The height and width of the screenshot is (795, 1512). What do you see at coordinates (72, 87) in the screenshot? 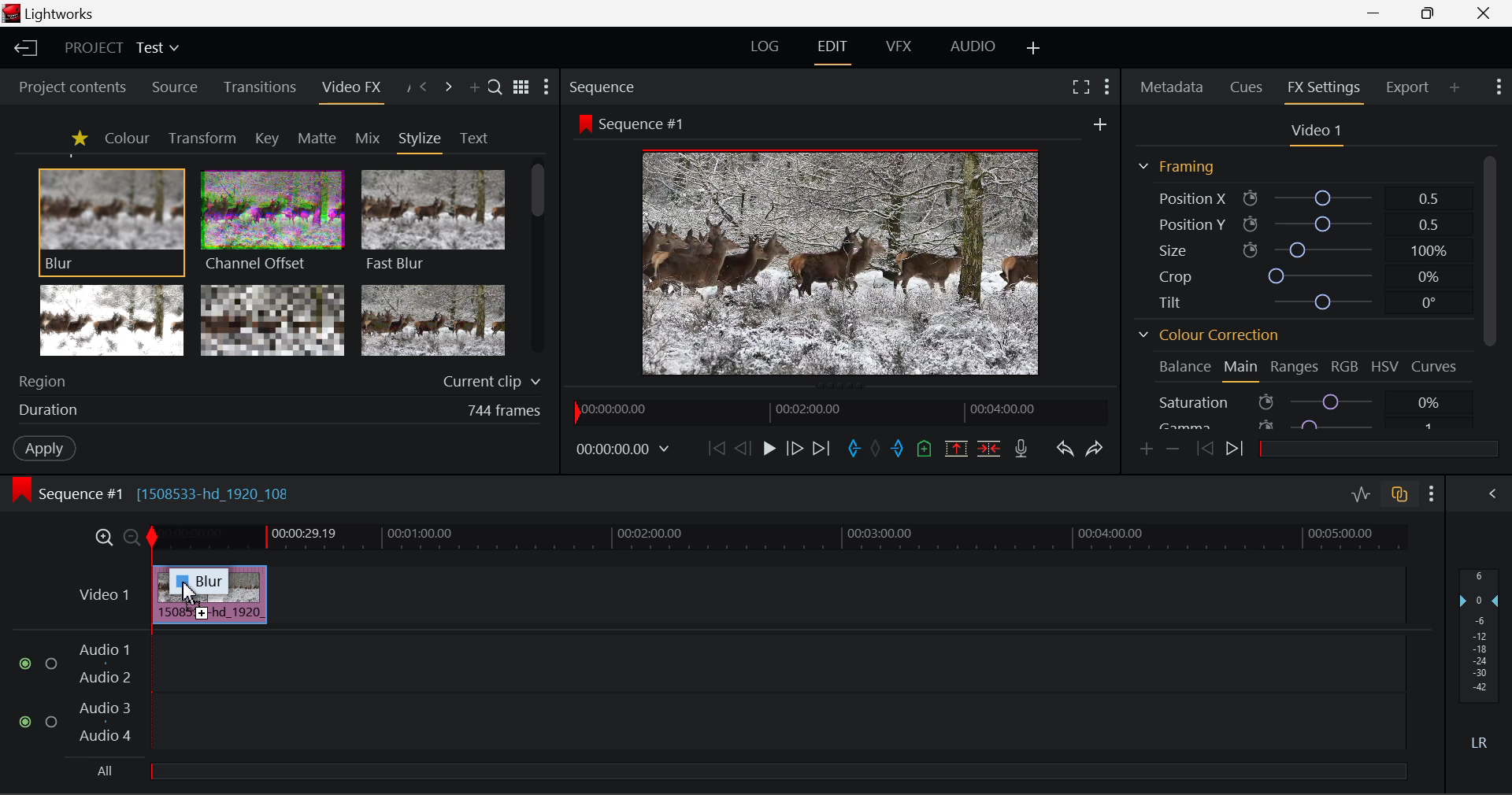
I see `Project contents` at bounding box center [72, 87].